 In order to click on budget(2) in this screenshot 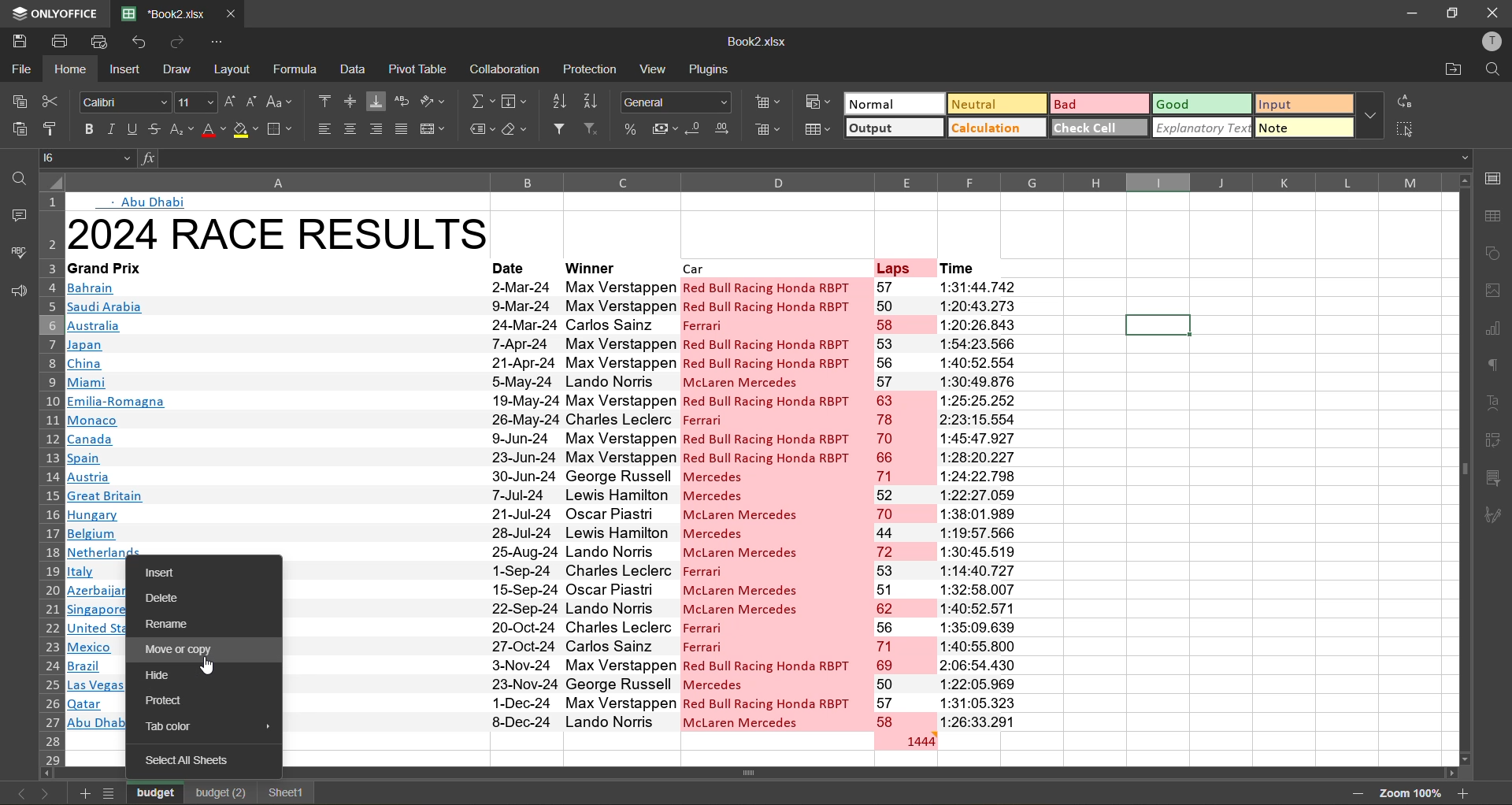, I will do `click(220, 793)`.